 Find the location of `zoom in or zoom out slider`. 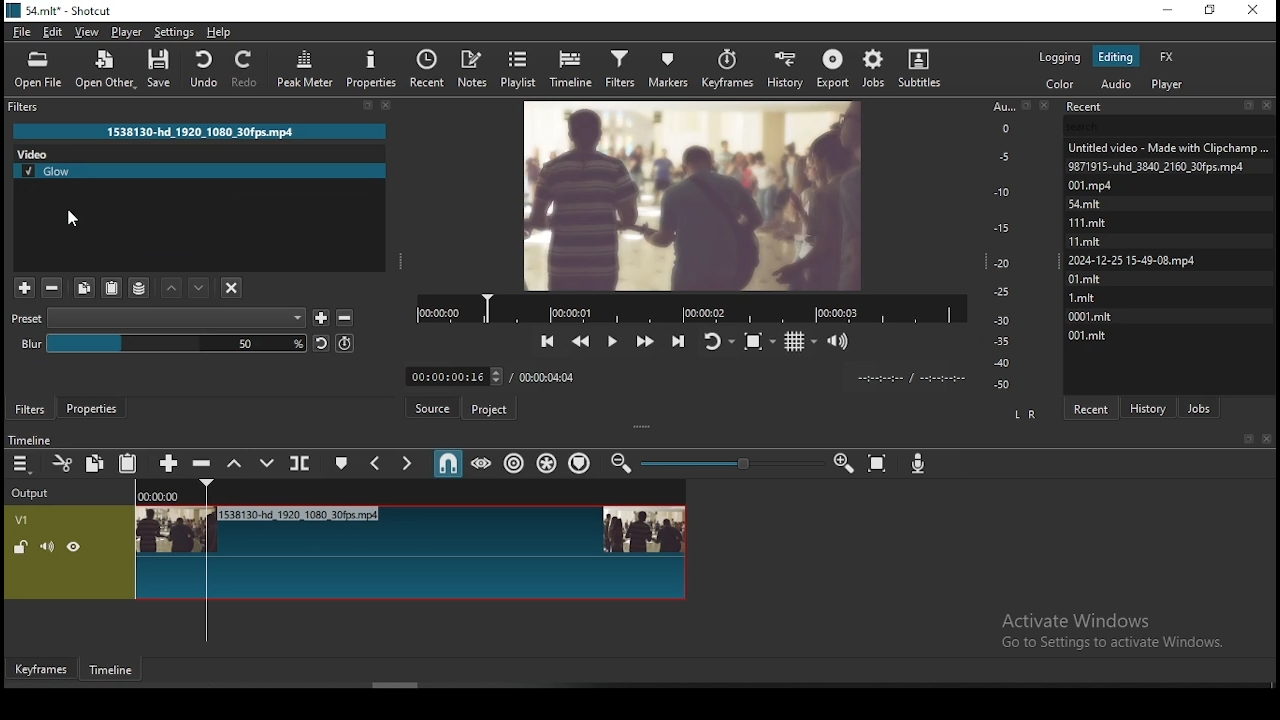

zoom in or zoom out slider is located at coordinates (732, 465).